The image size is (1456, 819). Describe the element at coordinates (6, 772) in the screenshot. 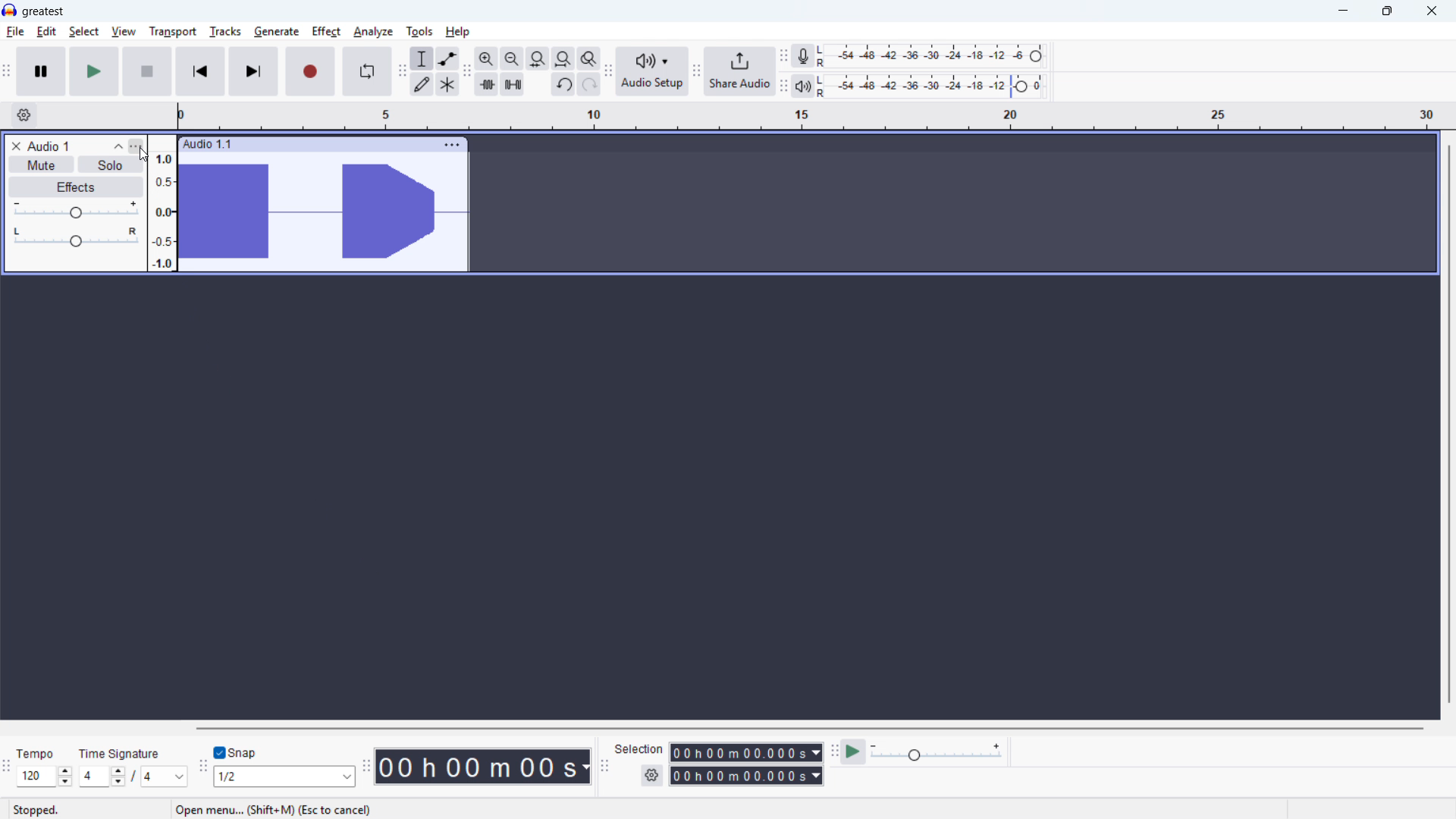

I see `Time signature toolbar ` at that location.